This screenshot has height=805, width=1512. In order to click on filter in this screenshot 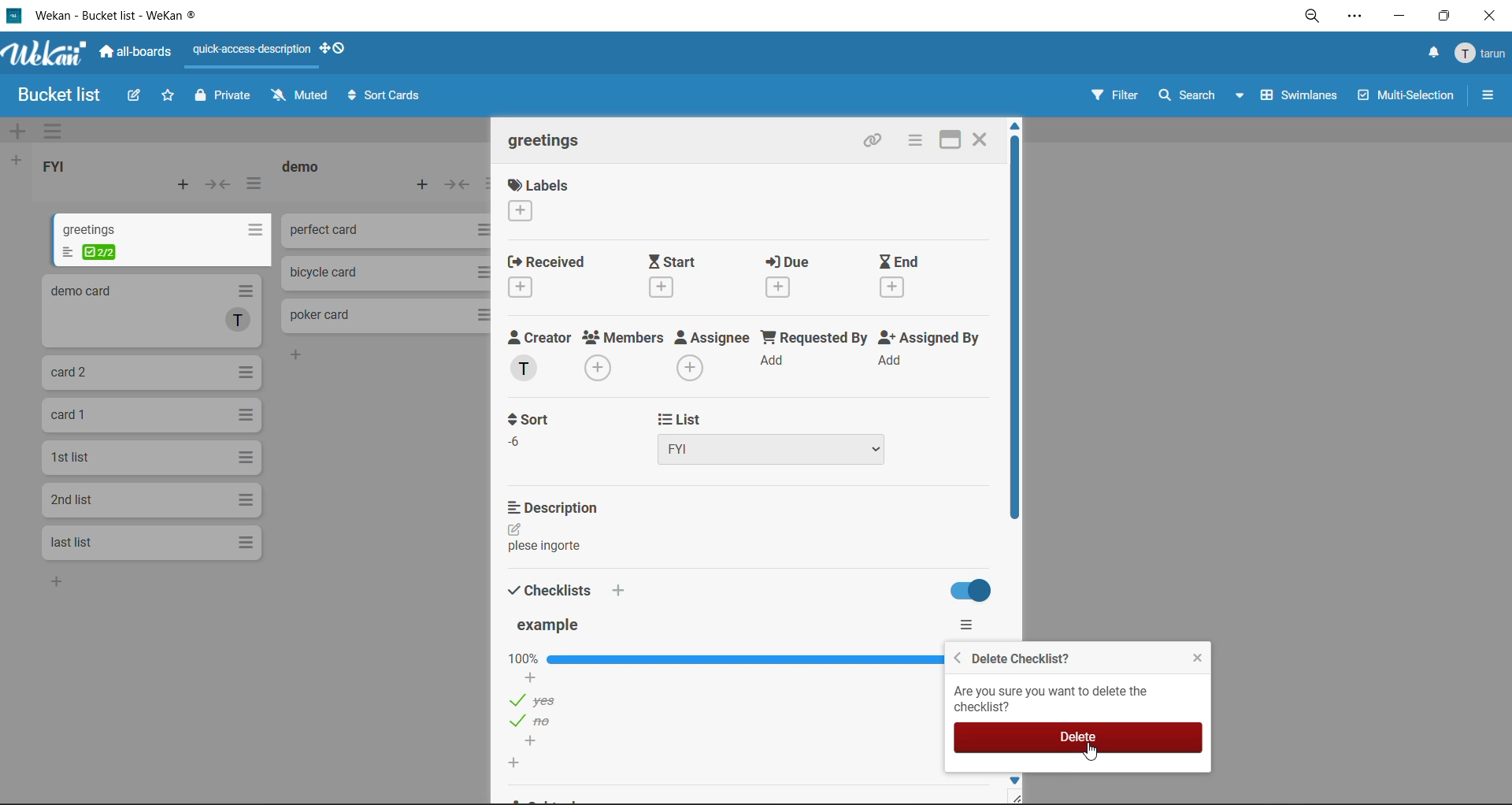, I will do `click(1111, 95)`.